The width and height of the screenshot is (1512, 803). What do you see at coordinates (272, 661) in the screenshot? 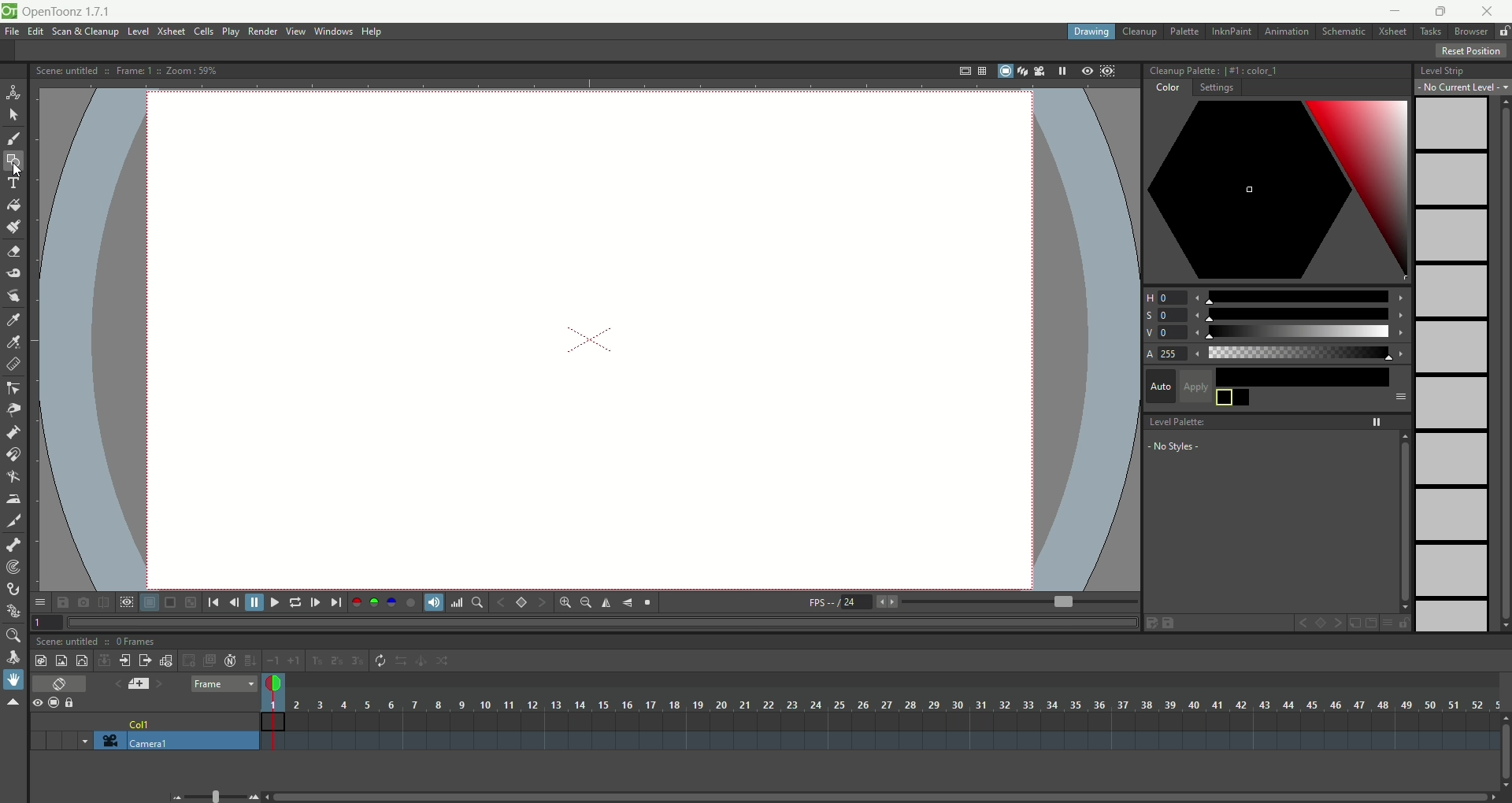
I see `decrease step` at bounding box center [272, 661].